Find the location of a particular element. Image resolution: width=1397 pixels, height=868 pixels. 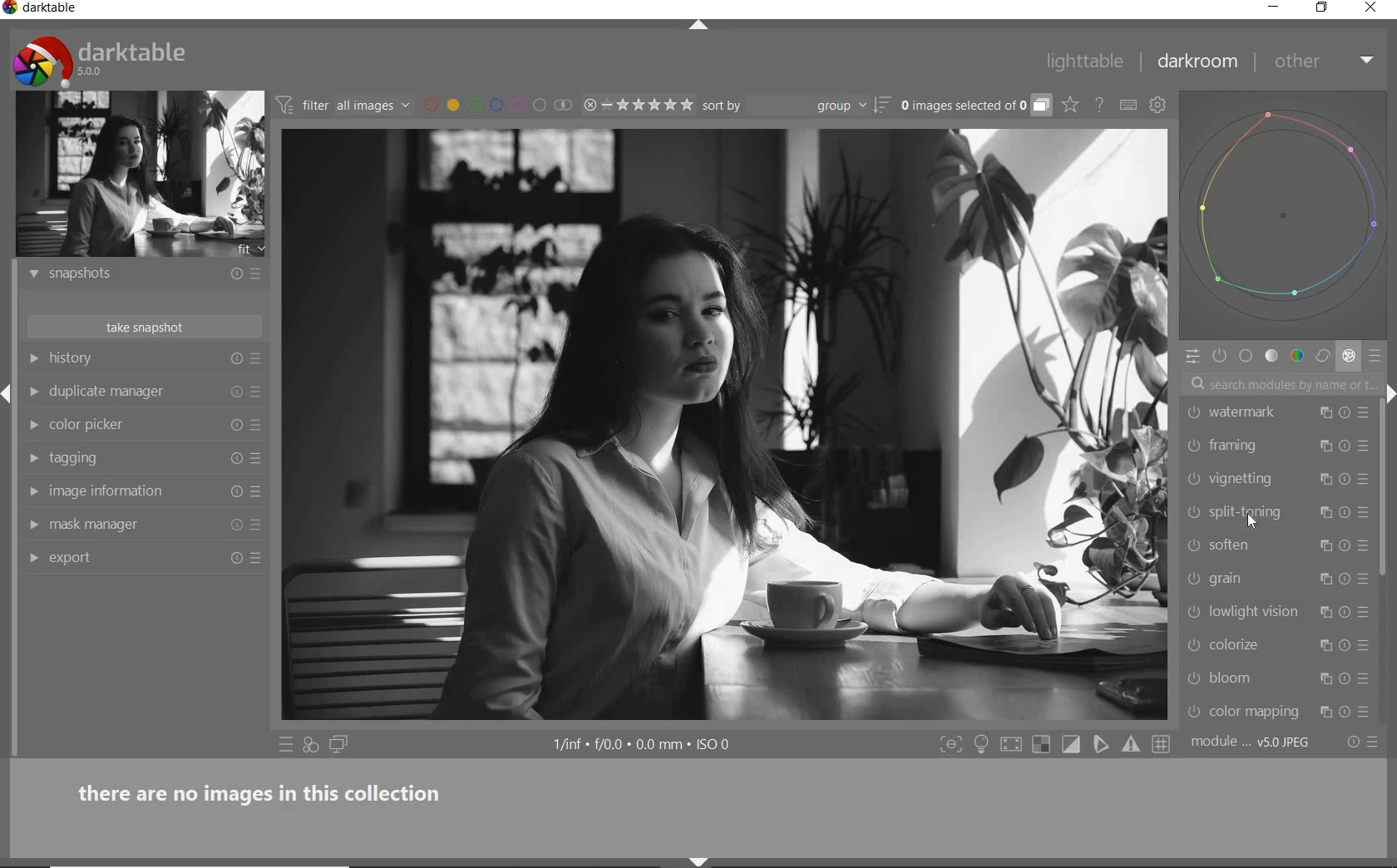

system logo is located at coordinates (101, 61).